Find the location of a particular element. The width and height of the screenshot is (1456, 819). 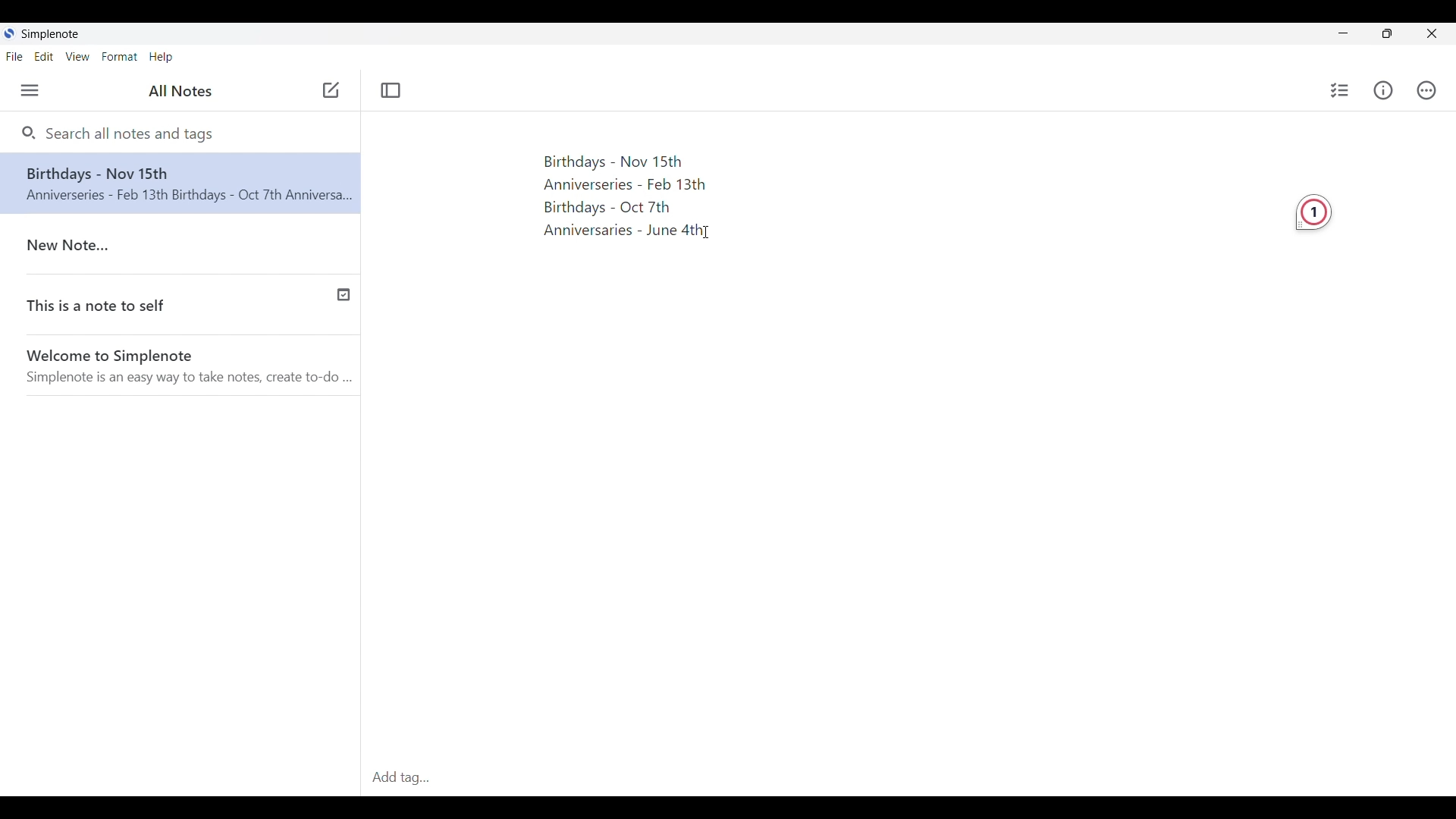

Toggle focus mode is located at coordinates (391, 90).